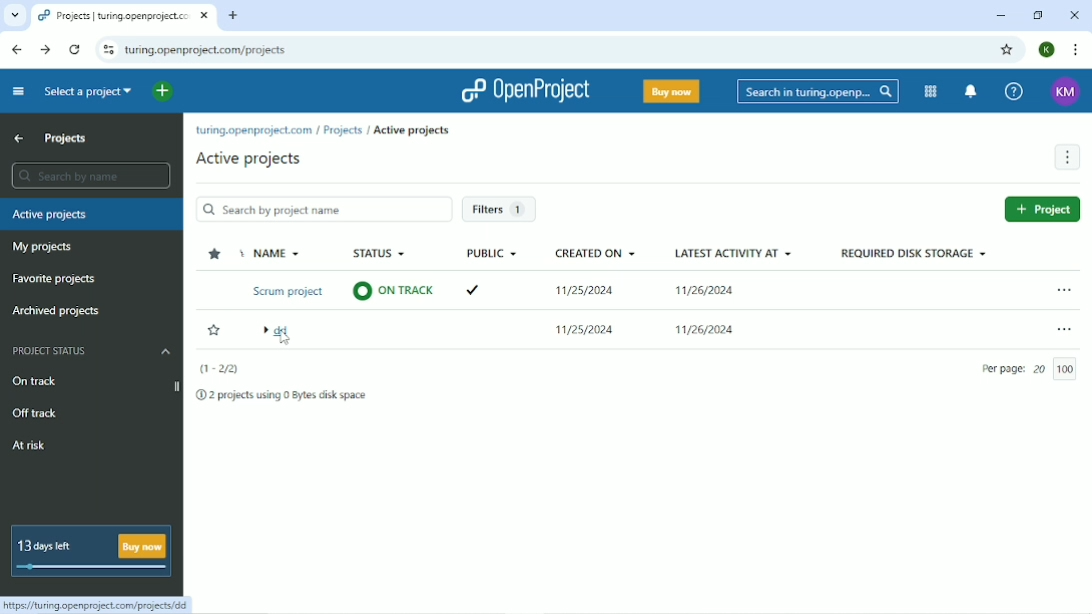 This screenshot has width=1092, height=614. I want to click on Projects, so click(65, 139).